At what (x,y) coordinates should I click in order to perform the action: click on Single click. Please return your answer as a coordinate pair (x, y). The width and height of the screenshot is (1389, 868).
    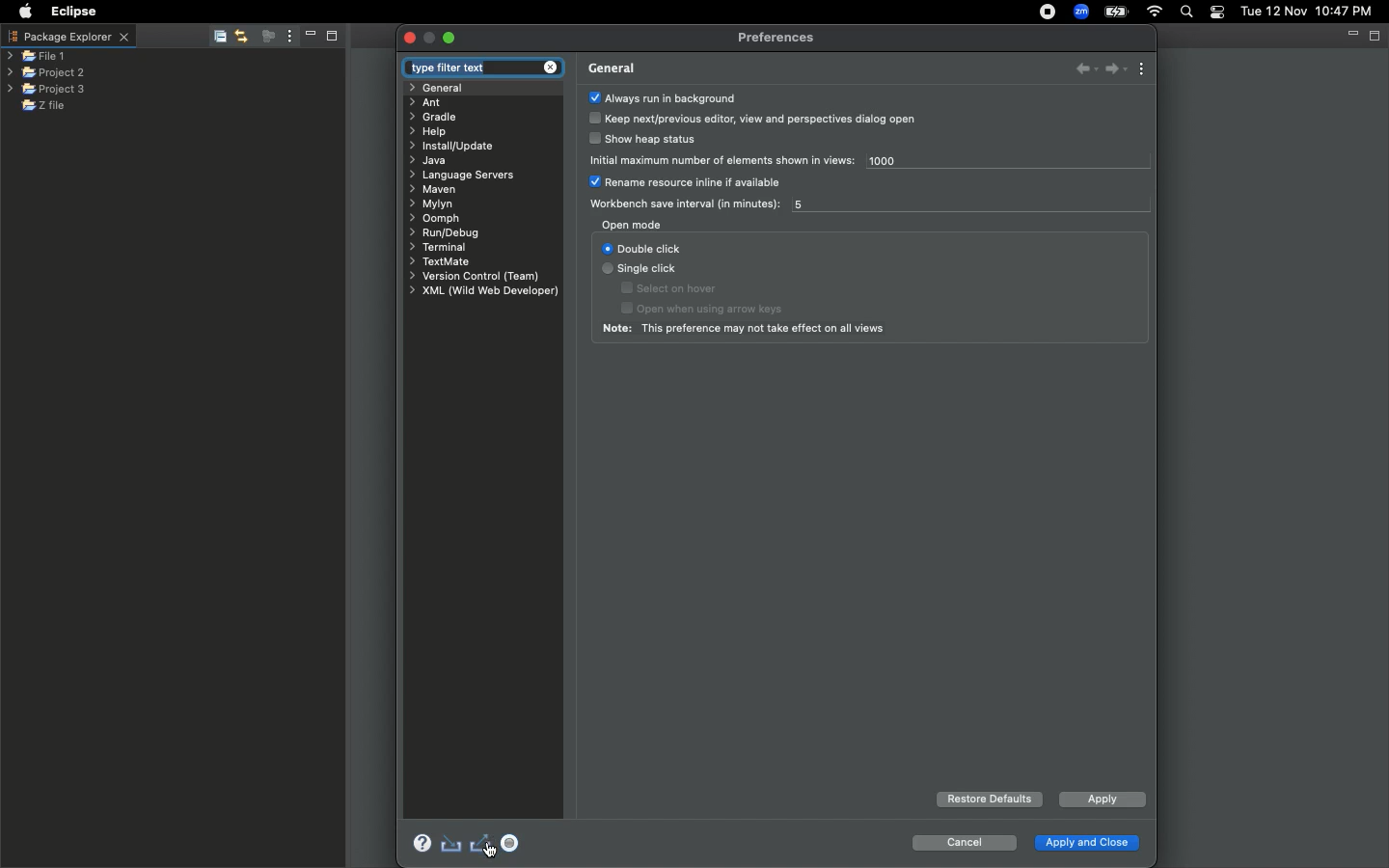
    Looking at the image, I should click on (641, 270).